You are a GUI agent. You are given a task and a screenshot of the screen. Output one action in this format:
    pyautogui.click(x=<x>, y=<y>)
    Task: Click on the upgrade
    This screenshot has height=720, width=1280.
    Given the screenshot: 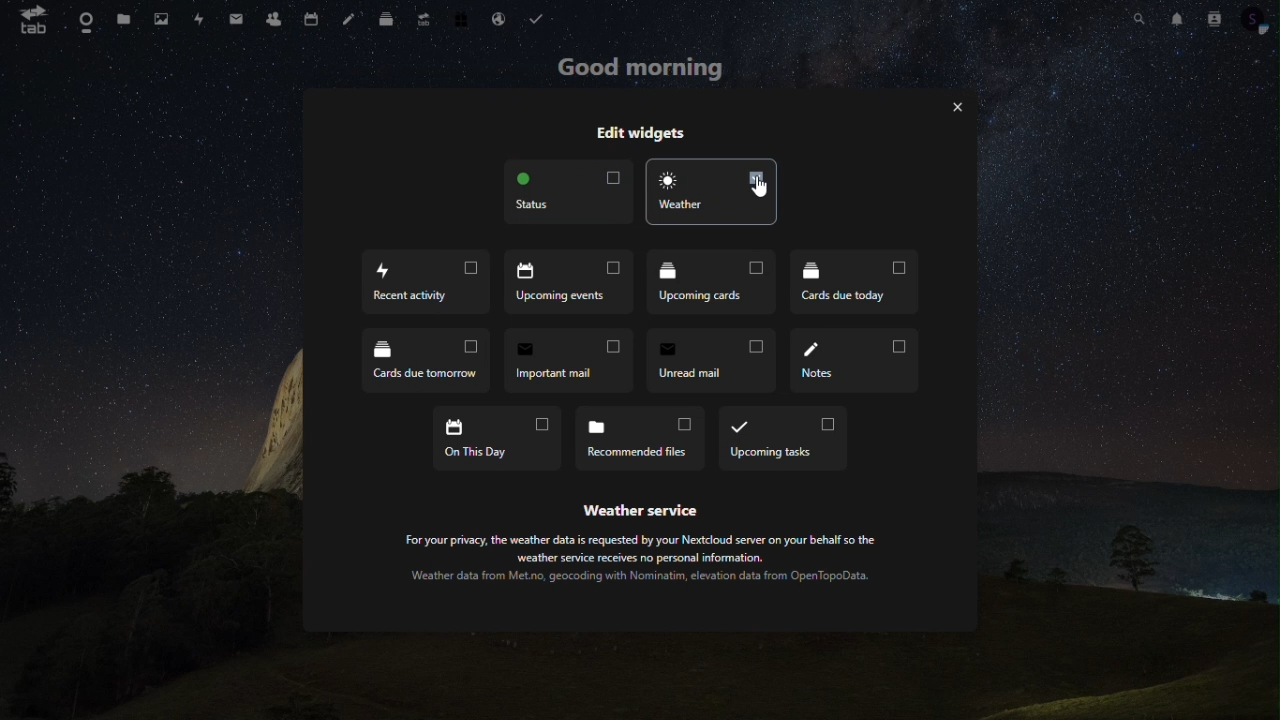 What is the action you would take?
    pyautogui.click(x=424, y=16)
    